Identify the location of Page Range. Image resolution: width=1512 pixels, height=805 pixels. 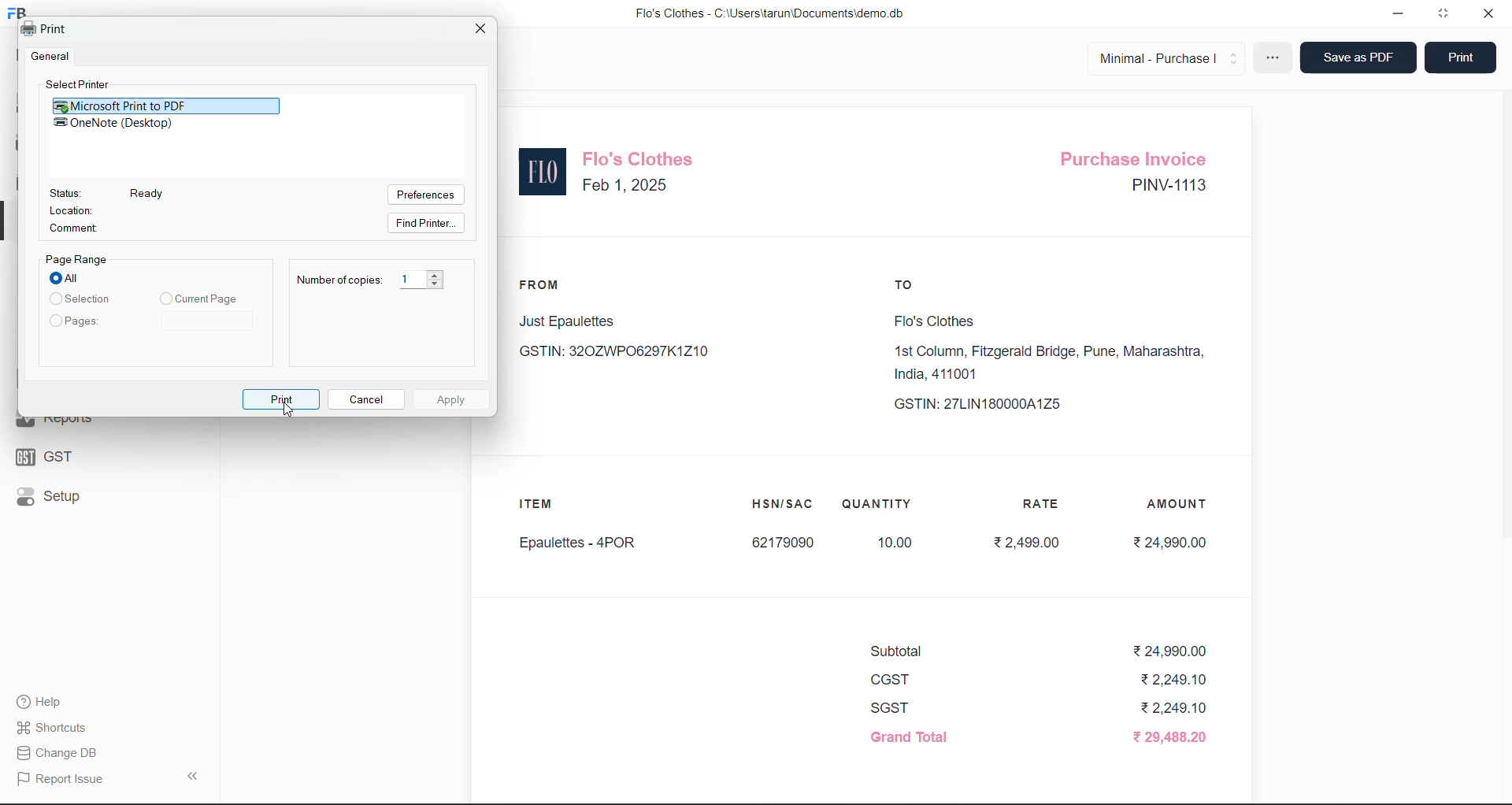
(81, 260).